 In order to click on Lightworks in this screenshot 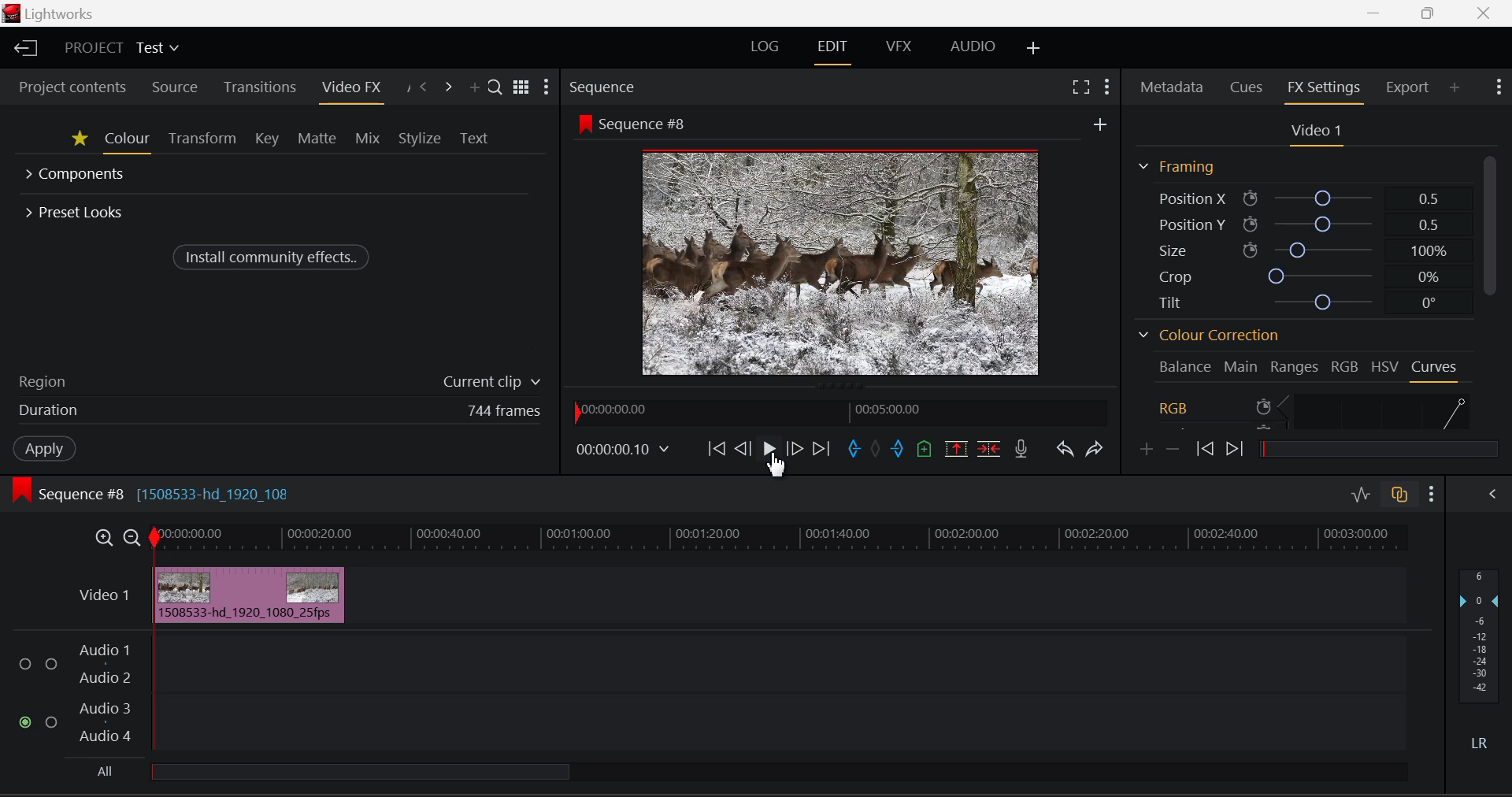, I will do `click(64, 13)`.